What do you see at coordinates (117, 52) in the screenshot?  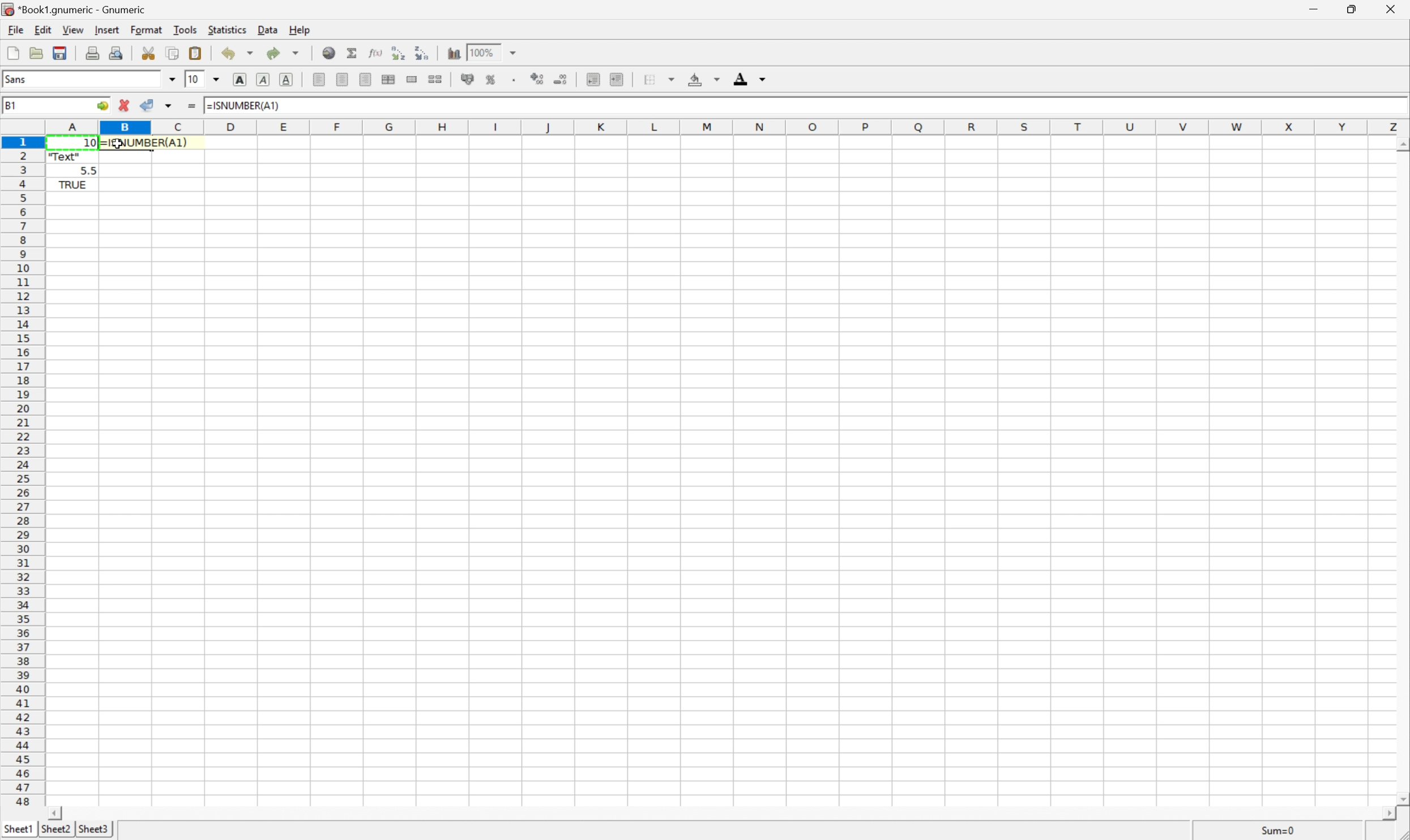 I see `Print preview` at bounding box center [117, 52].